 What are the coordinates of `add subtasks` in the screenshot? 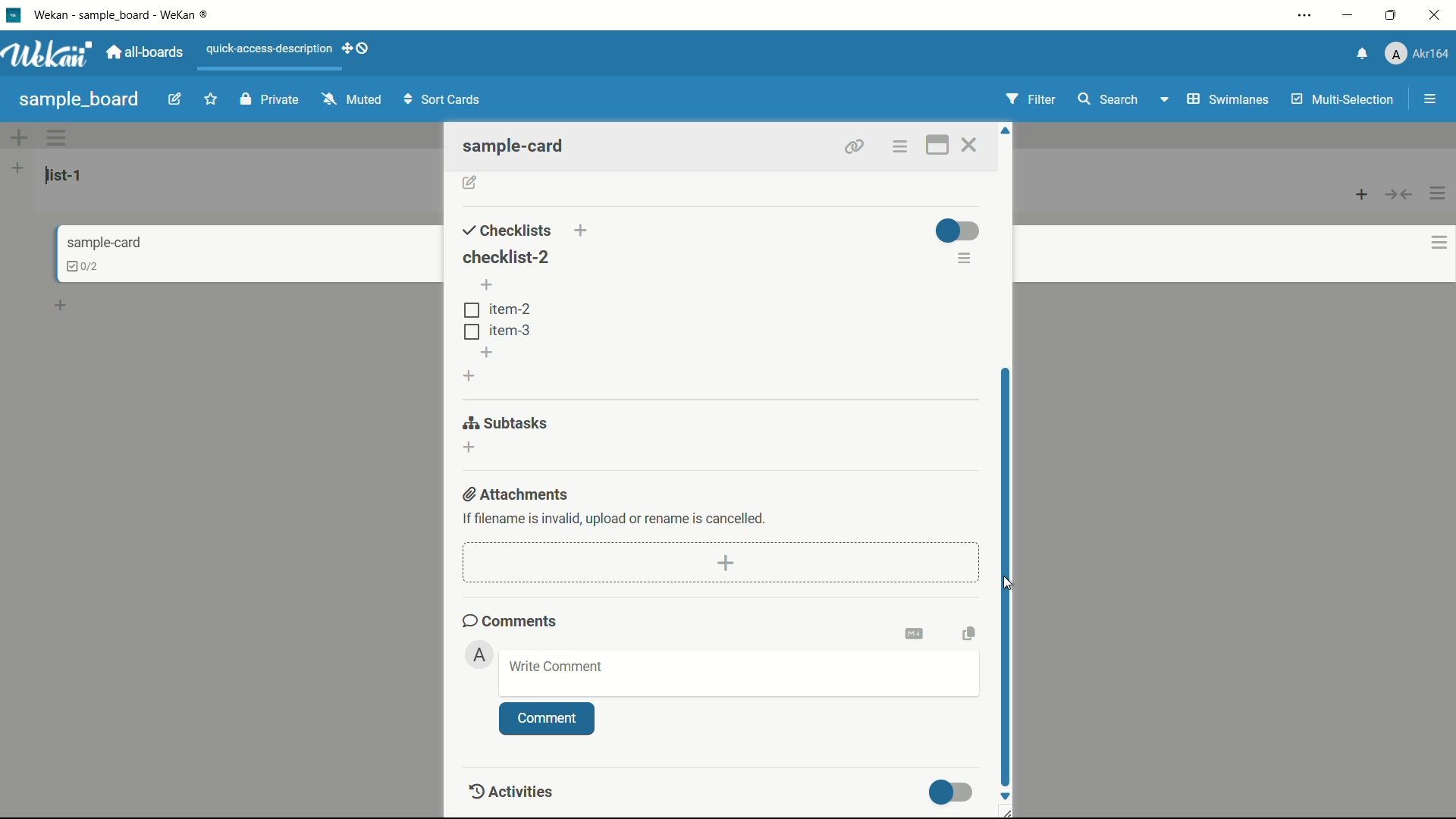 It's located at (470, 448).